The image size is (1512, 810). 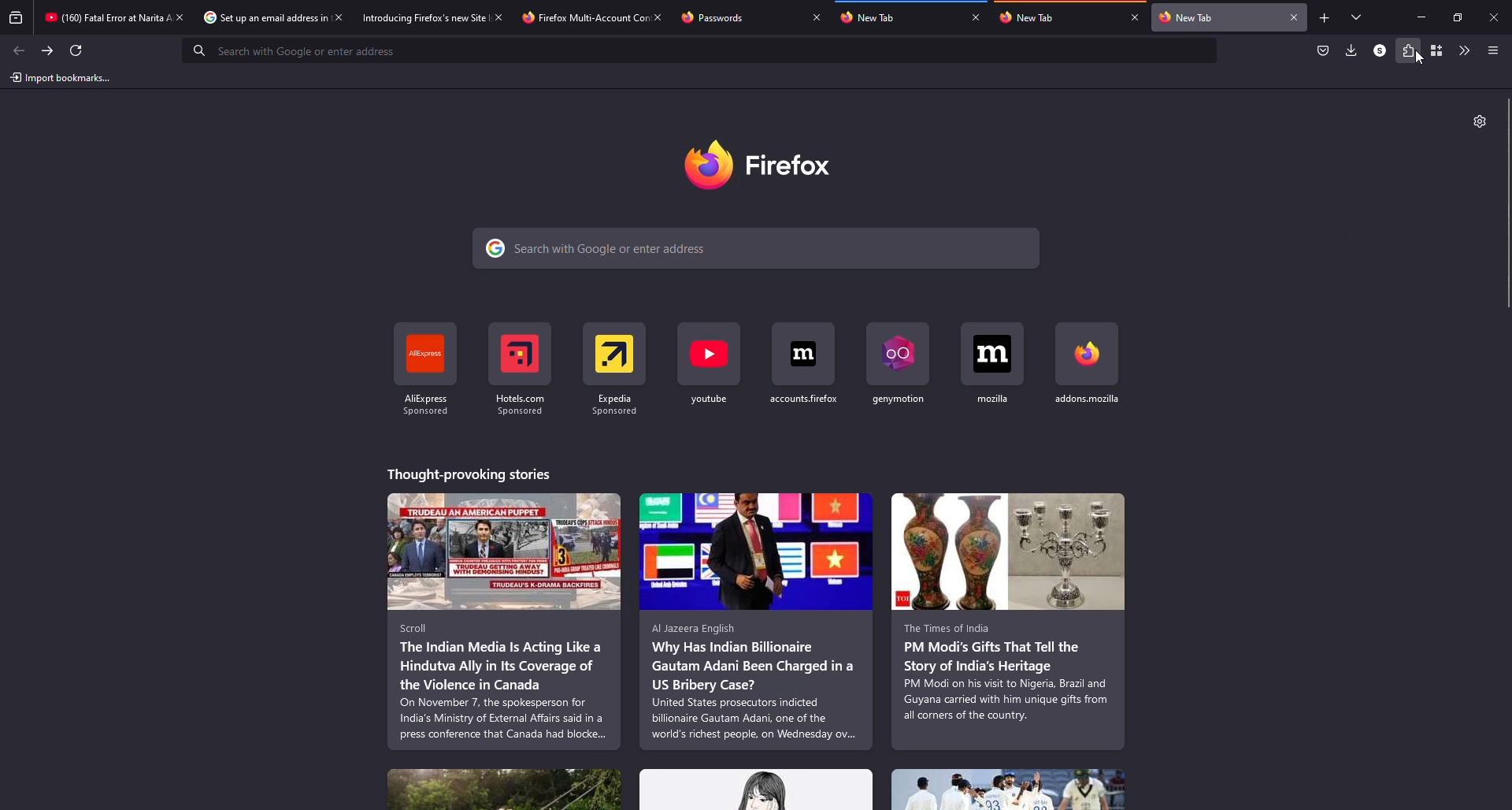 I want to click on close, so click(x=1495, y=18).